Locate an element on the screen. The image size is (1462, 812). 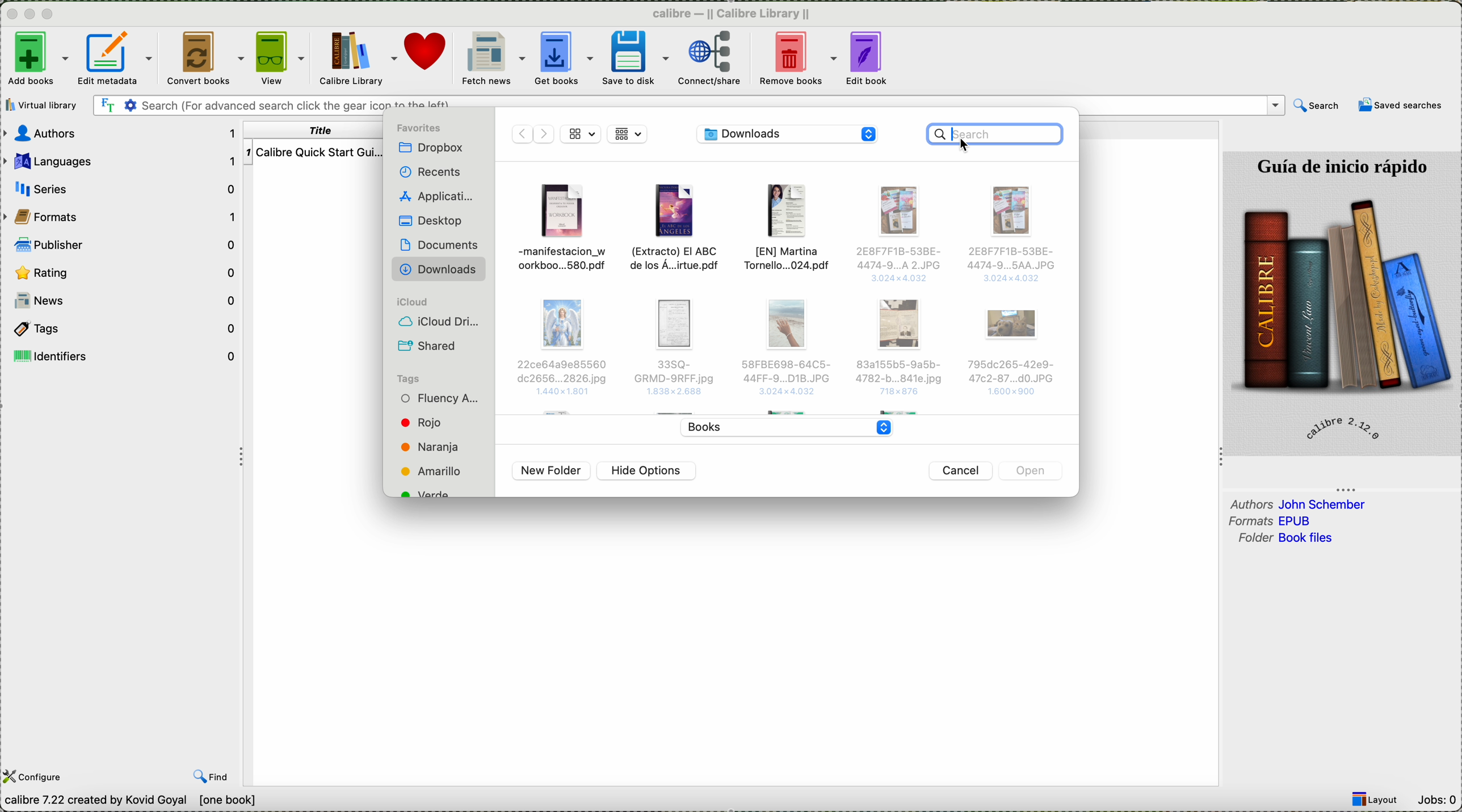
Jobs: 0 is located at coordinates (1436, 801).